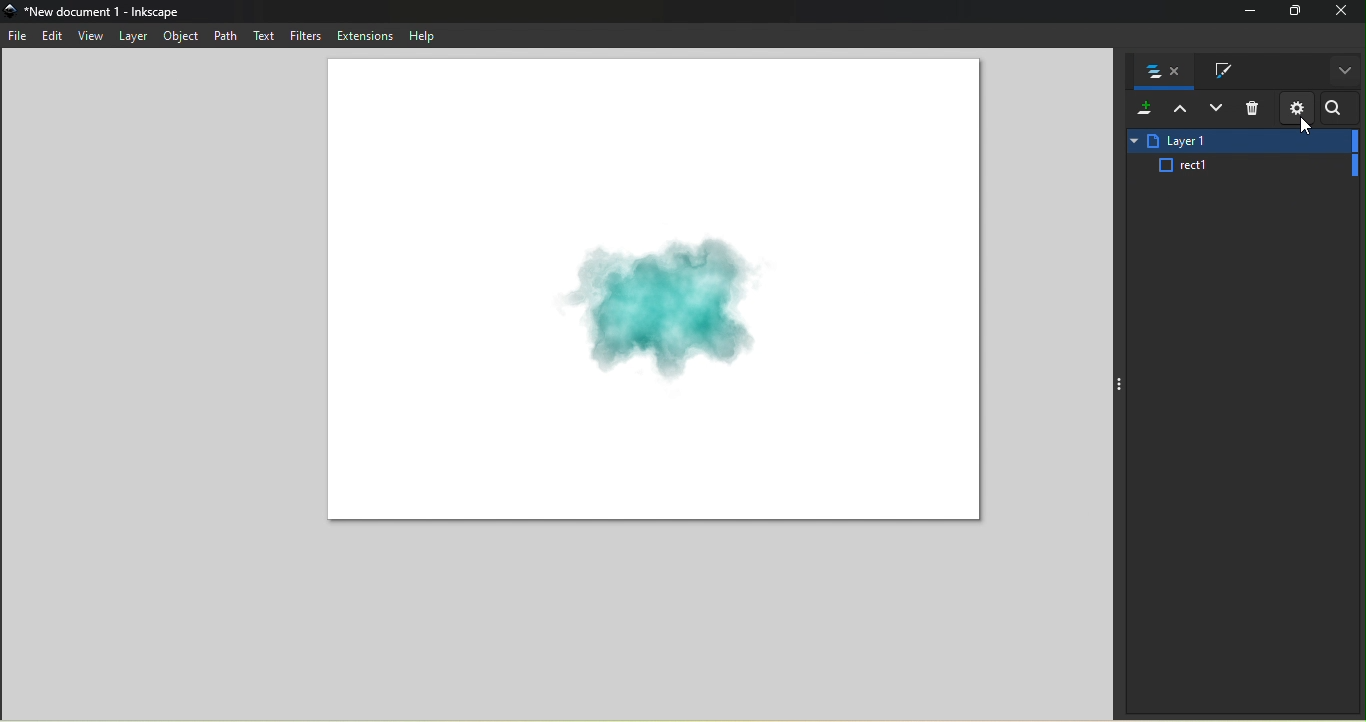  Describe the element at coordinates (1306, 129) in the screenshot. I see `cursor` at that location.